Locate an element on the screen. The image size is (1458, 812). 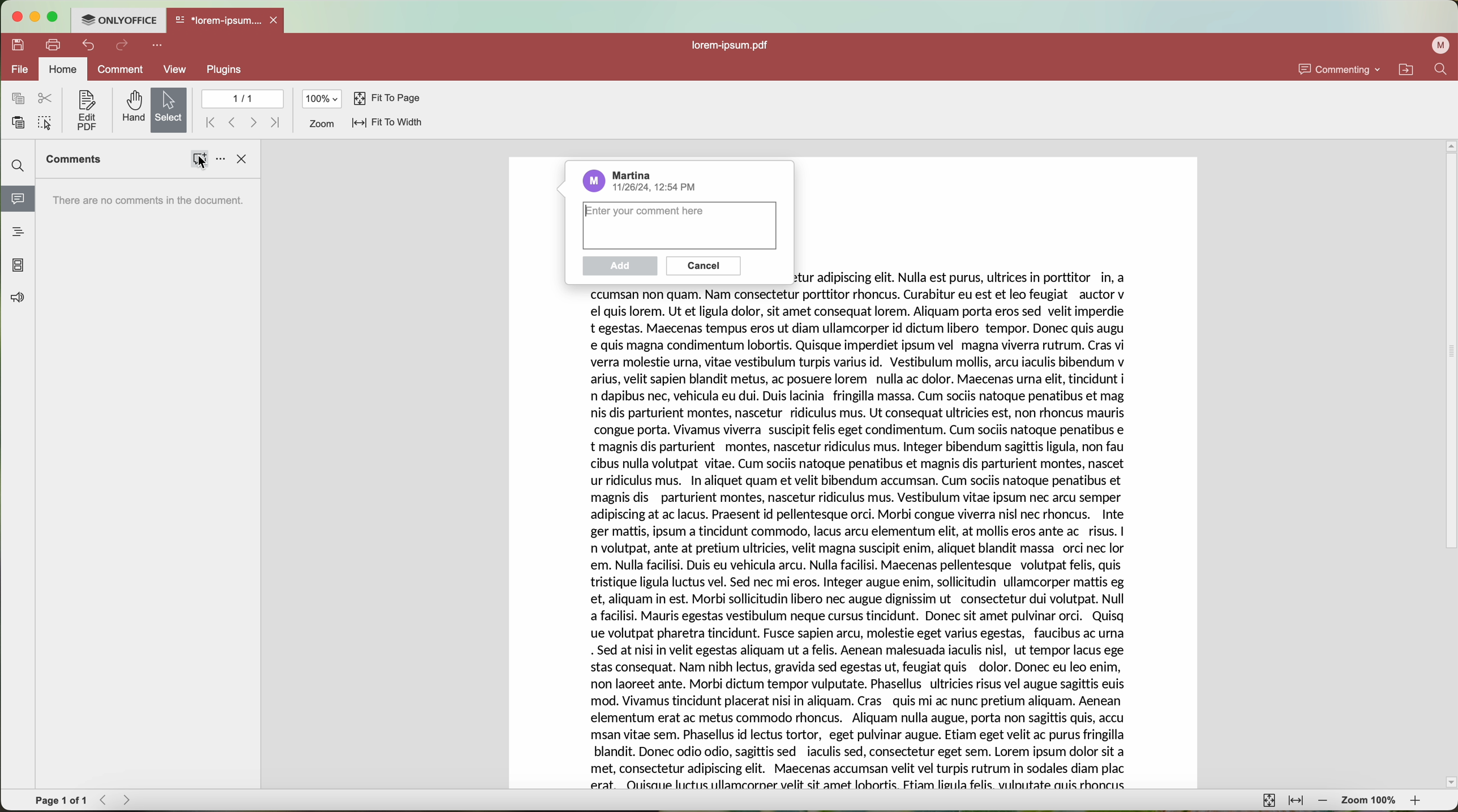
type the comment here is located at coordinates (679, 227).